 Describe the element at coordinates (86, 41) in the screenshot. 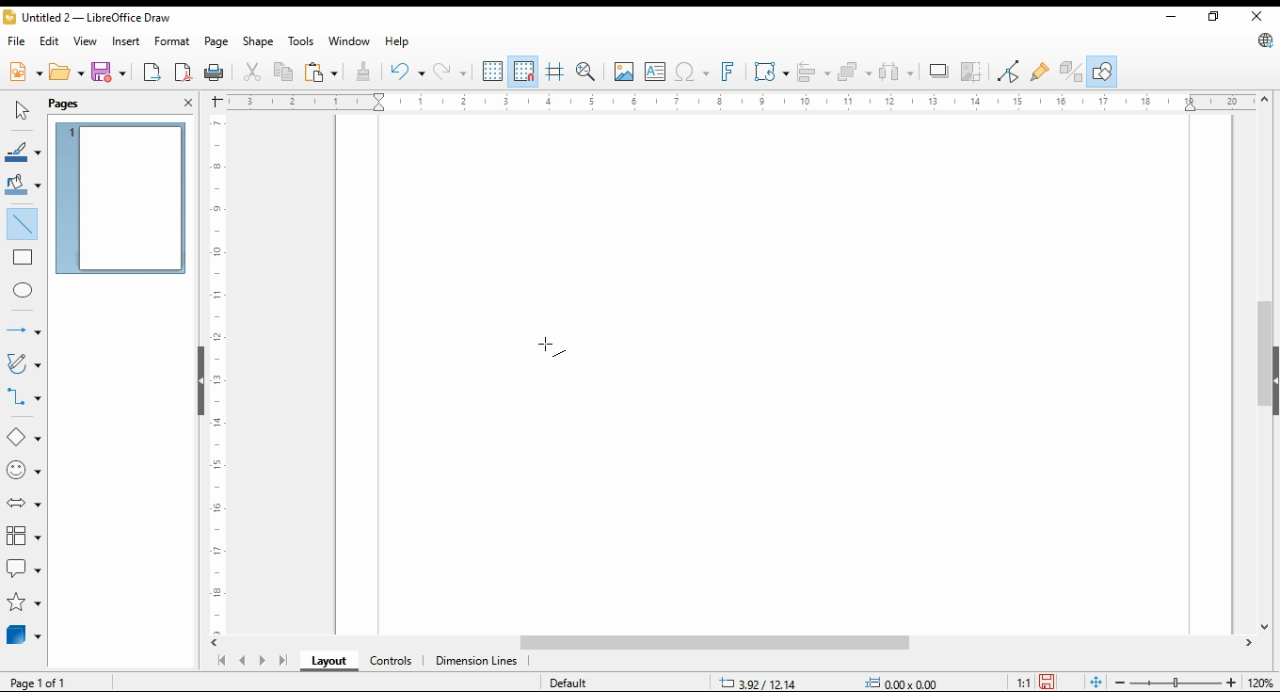

I see `view` at that location.